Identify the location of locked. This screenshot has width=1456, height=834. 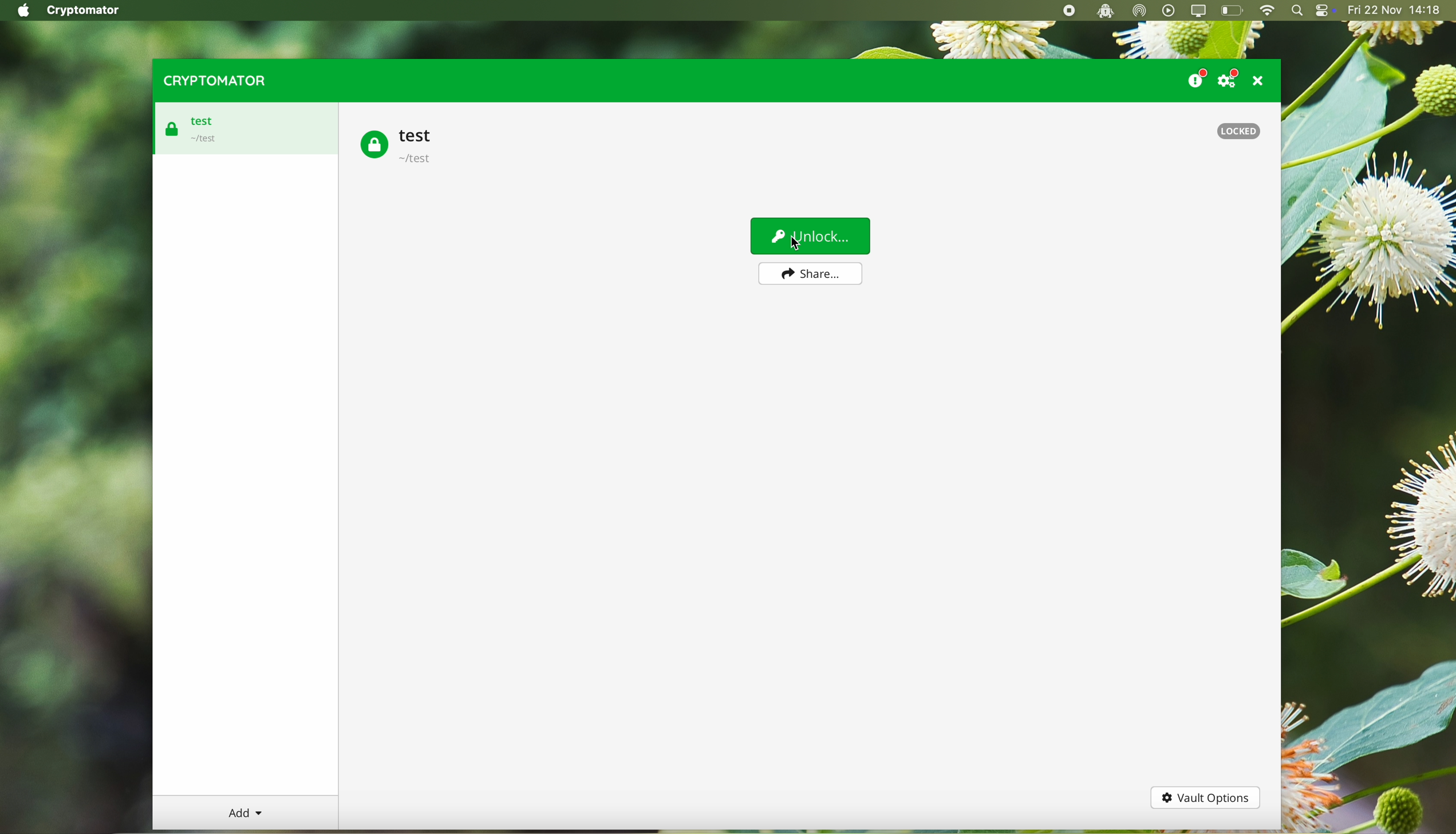
(1237, 132).